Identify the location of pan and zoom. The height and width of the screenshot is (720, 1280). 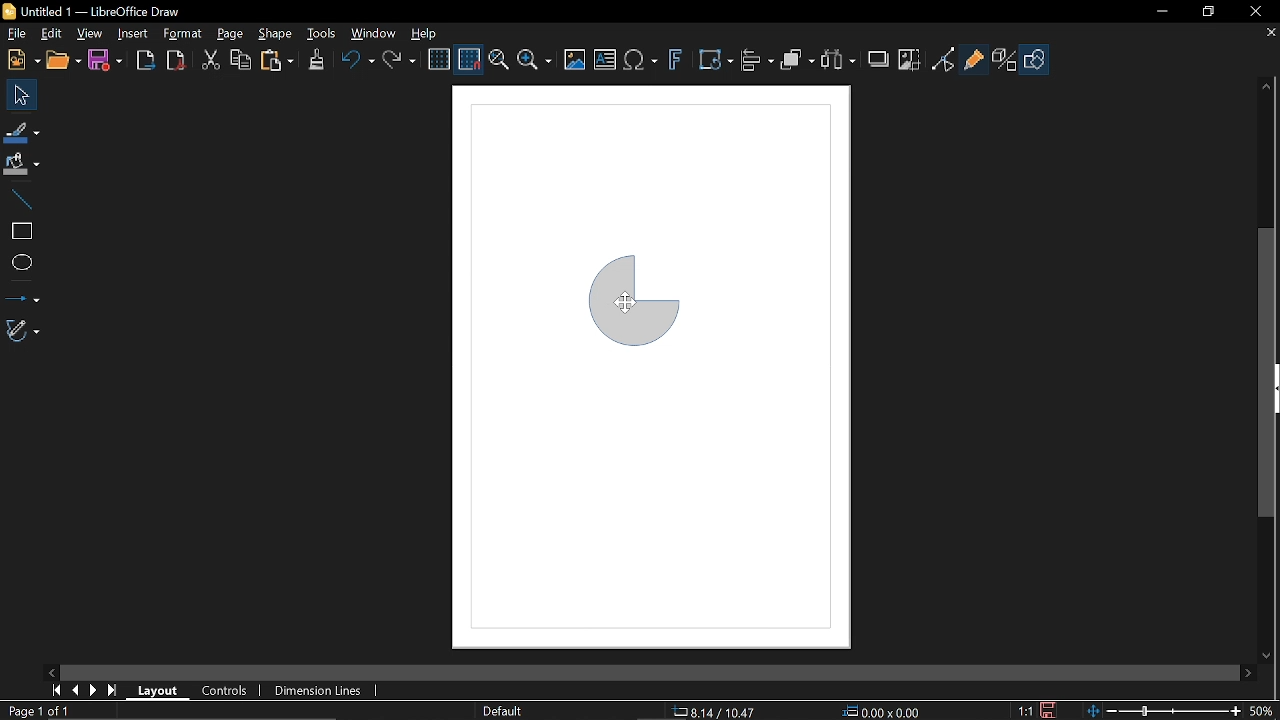
(498, 61).